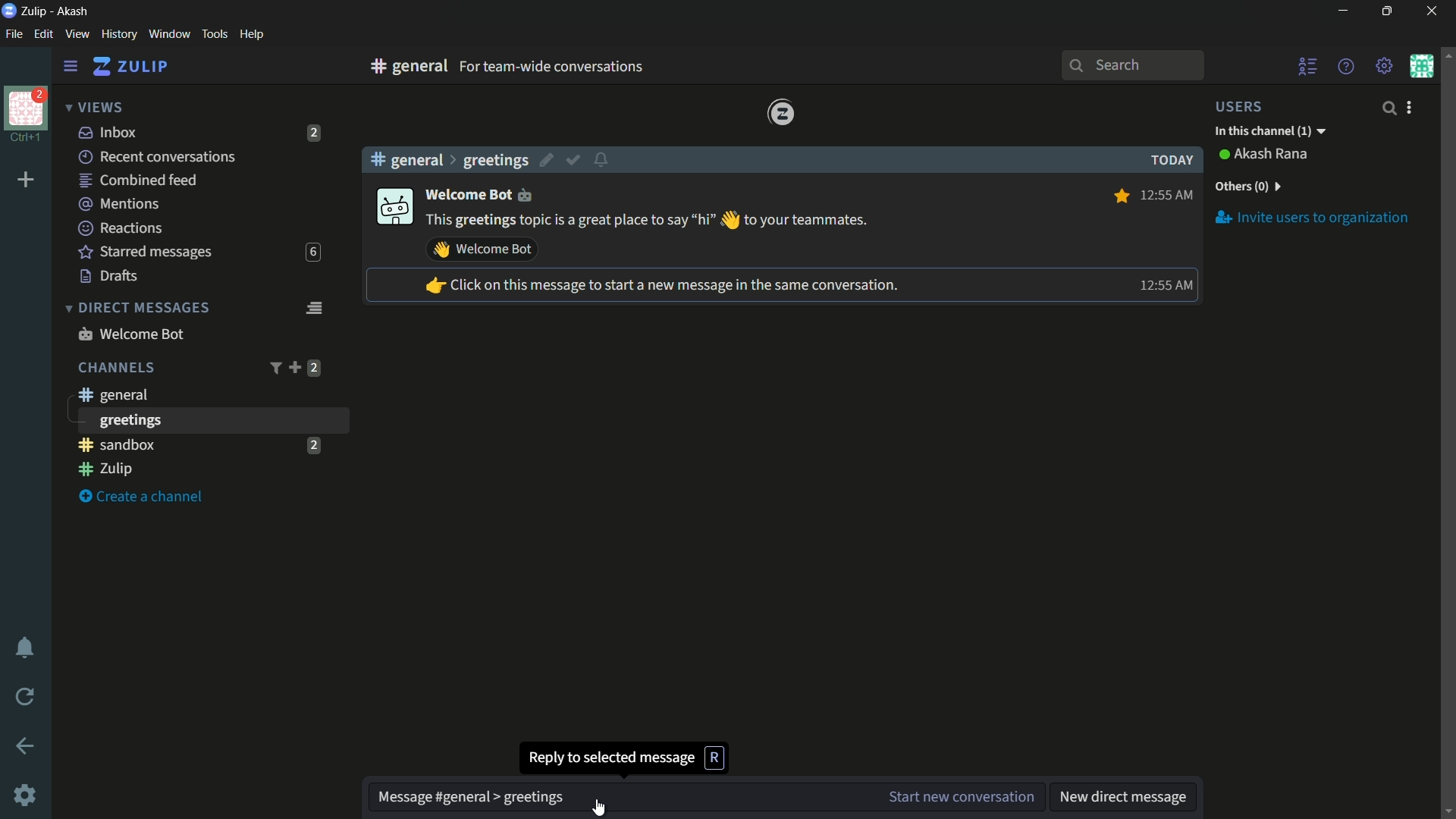  What do you see at coordinates (121, 205) in the screenshot?
I see `mentions` at bounding box center [121, 205].